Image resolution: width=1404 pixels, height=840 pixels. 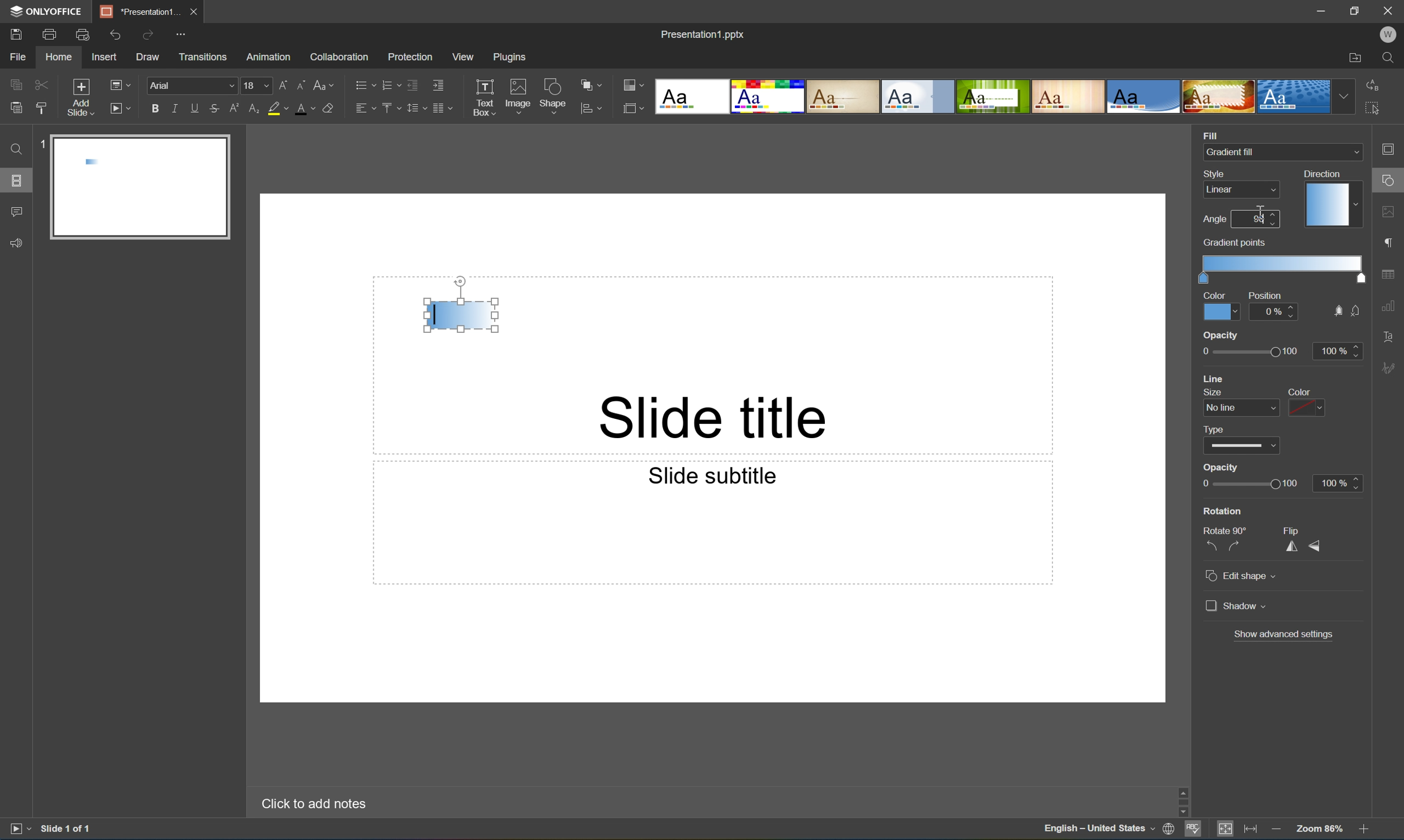 What do you see at coordinates (1211, 546) in the screenshot?
I see `Rotate 90° counterclockwise` at bounding box center [1211, 546].